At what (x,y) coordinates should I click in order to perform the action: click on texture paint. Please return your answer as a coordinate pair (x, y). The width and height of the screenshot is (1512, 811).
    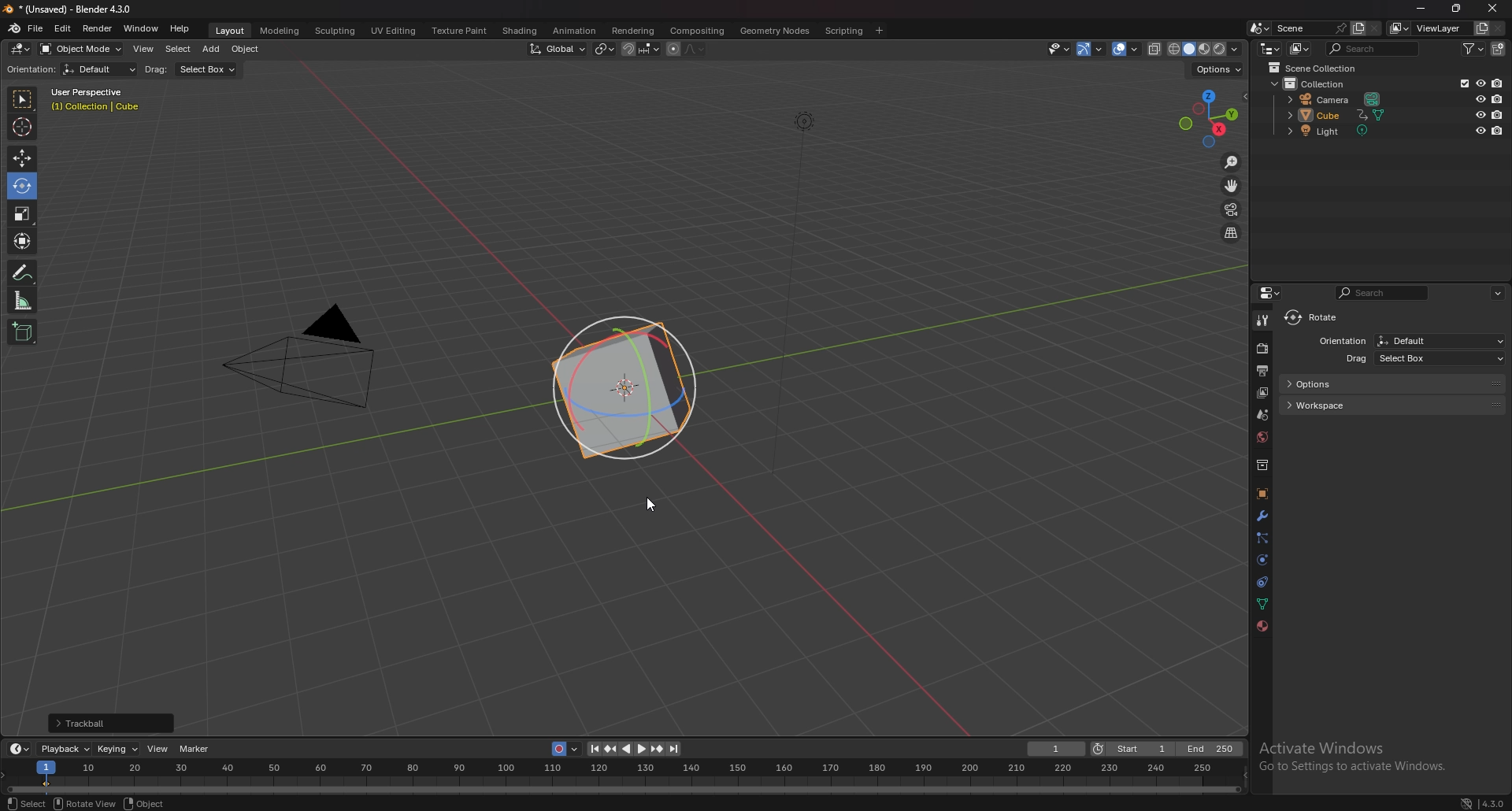
    Looking at the image, I should click on (461, 31).